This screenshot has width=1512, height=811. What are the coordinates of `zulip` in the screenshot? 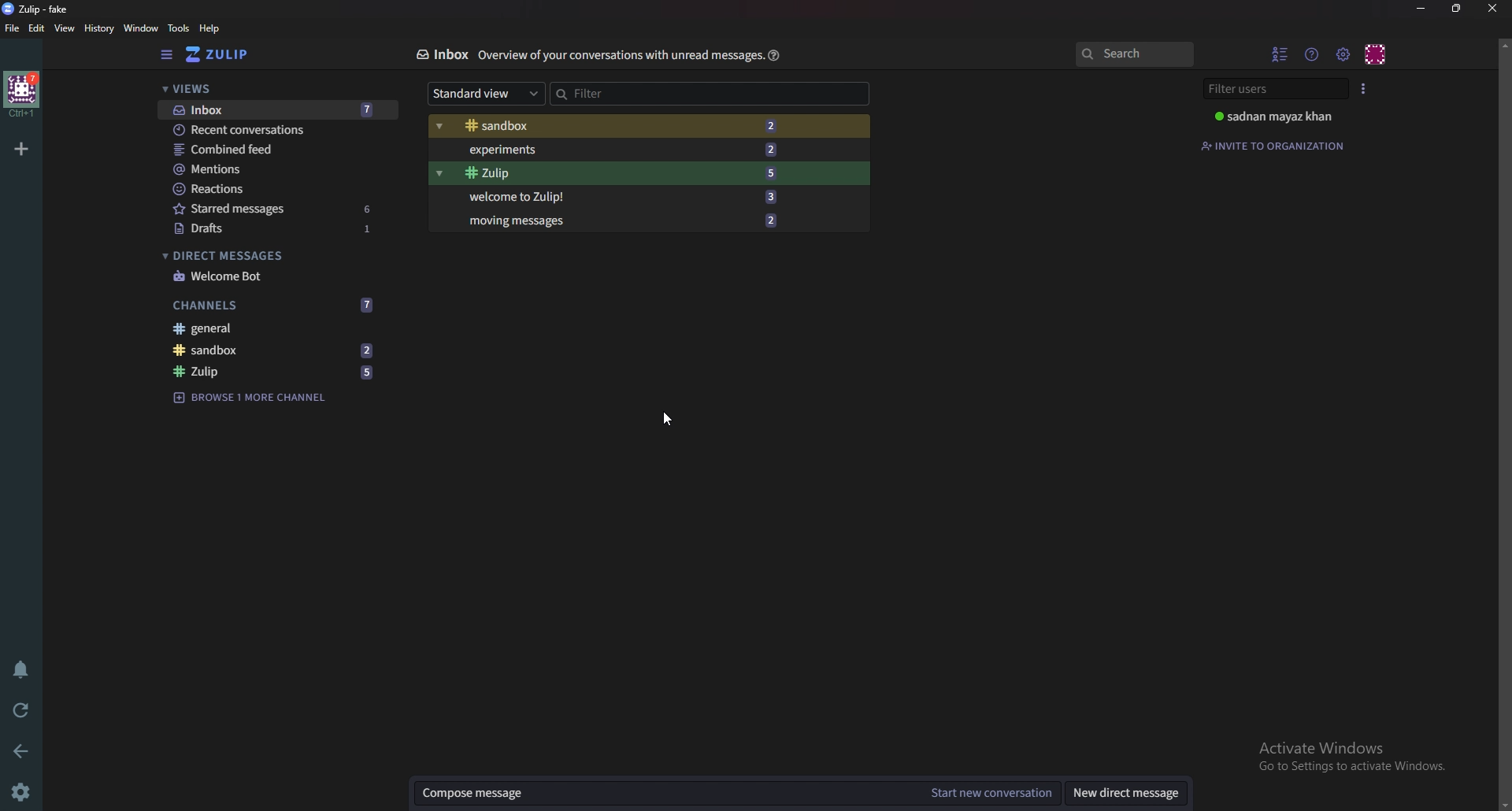 It's located at (226, 55).